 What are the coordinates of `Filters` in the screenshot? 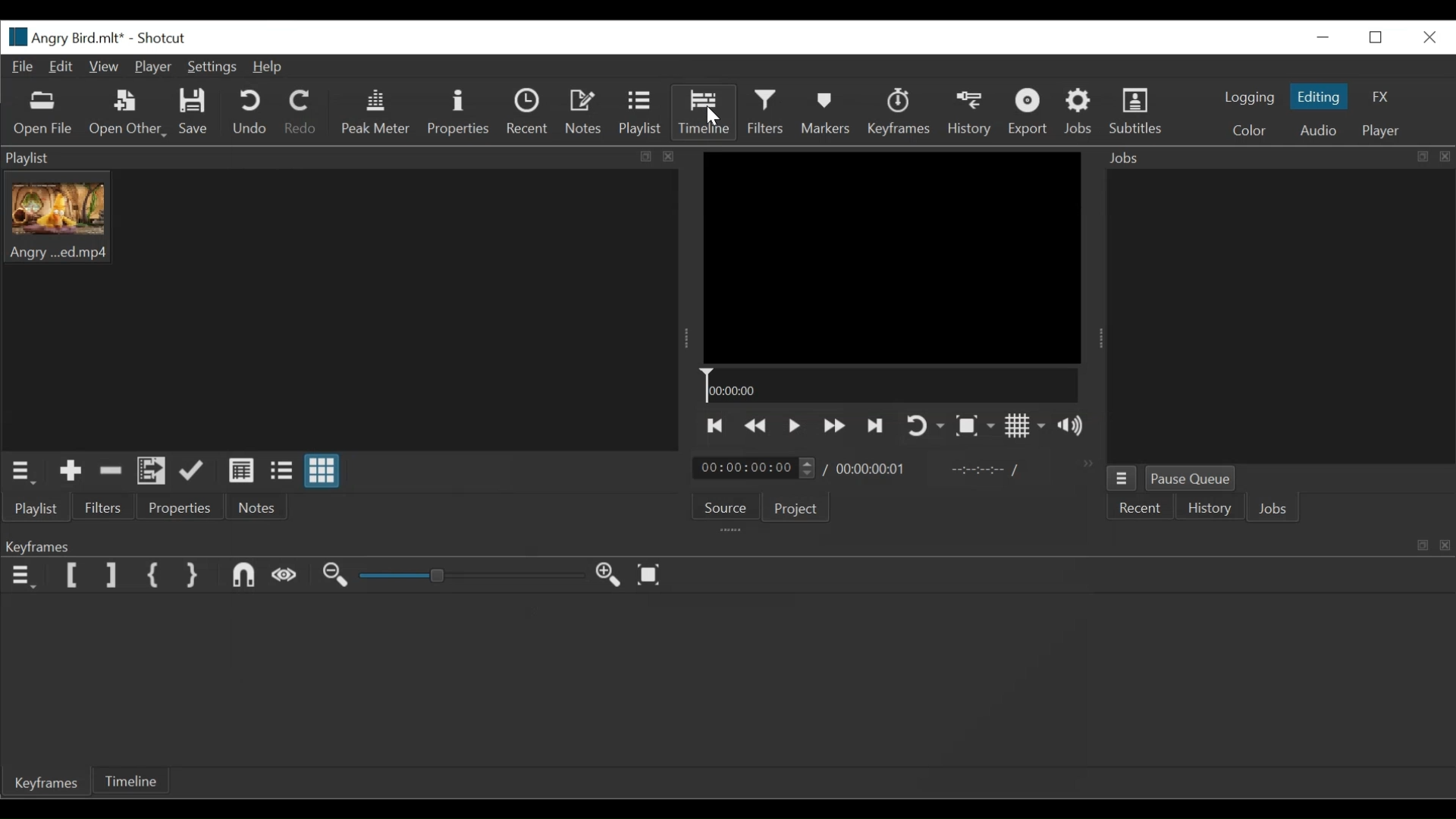 It's located at (104, 507).